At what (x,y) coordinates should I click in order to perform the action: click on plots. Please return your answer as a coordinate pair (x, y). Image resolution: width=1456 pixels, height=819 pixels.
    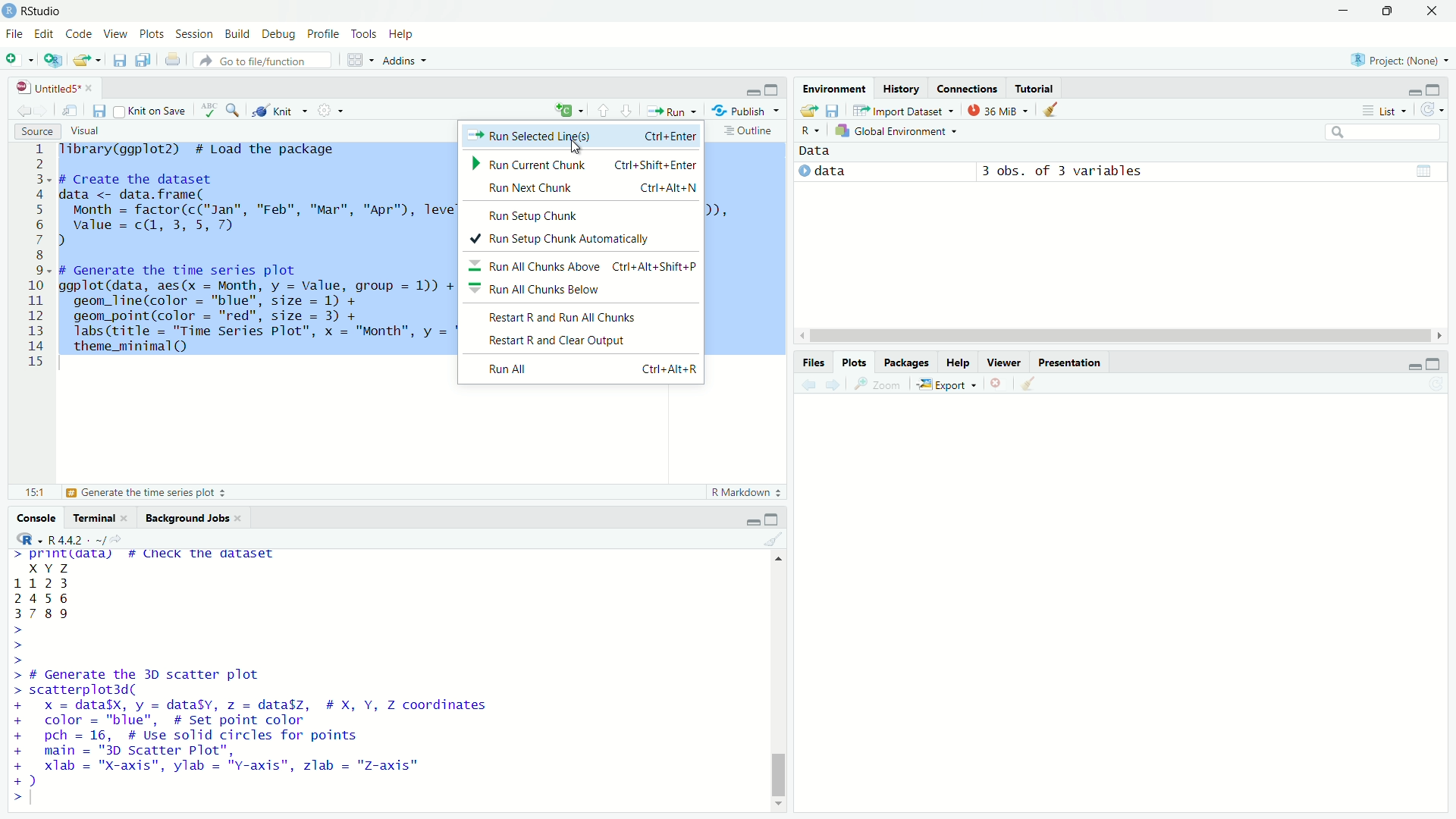
    Looking at the image, I should click on (855, 362).